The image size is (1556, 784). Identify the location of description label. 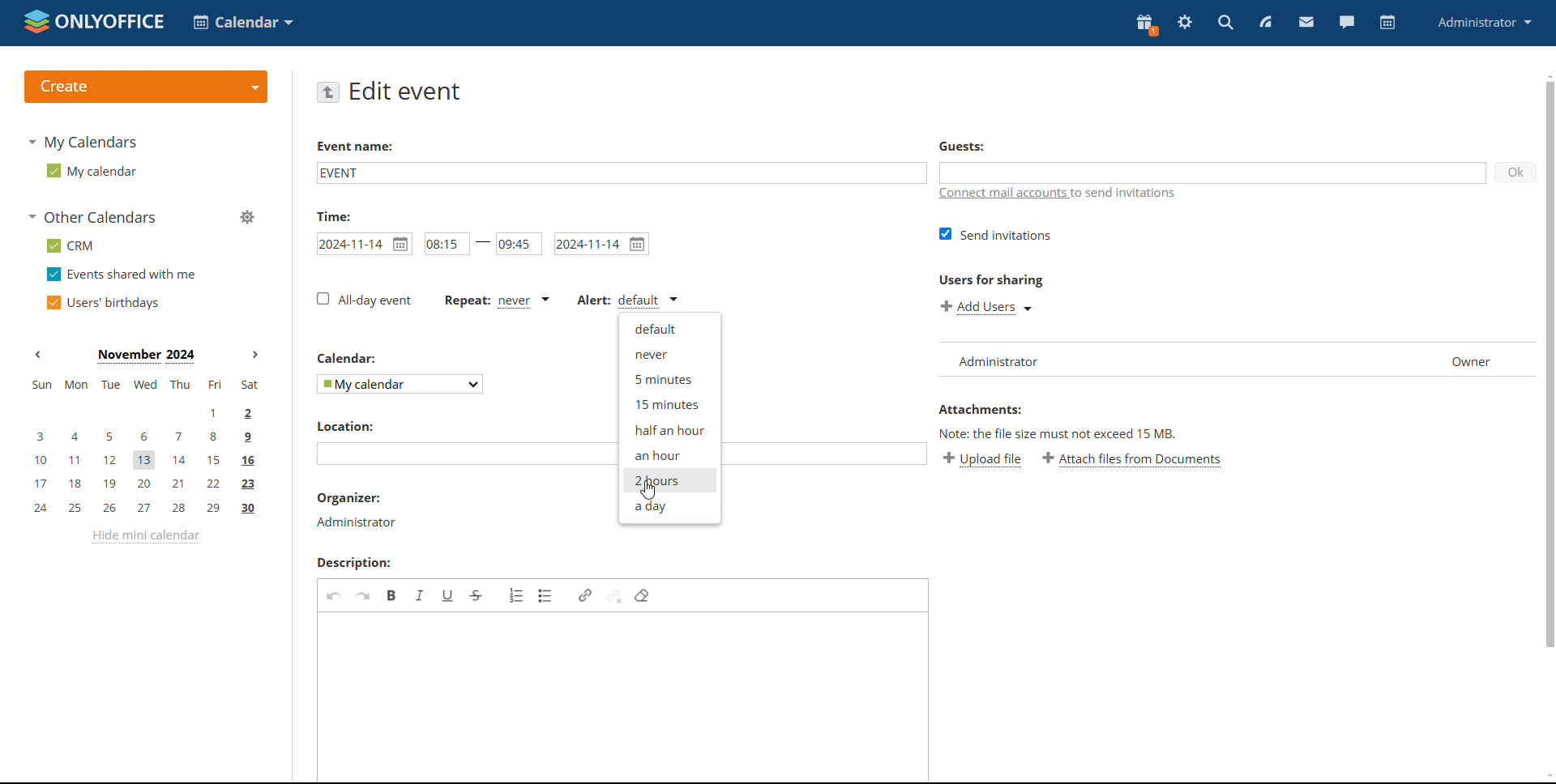
(357, 561).